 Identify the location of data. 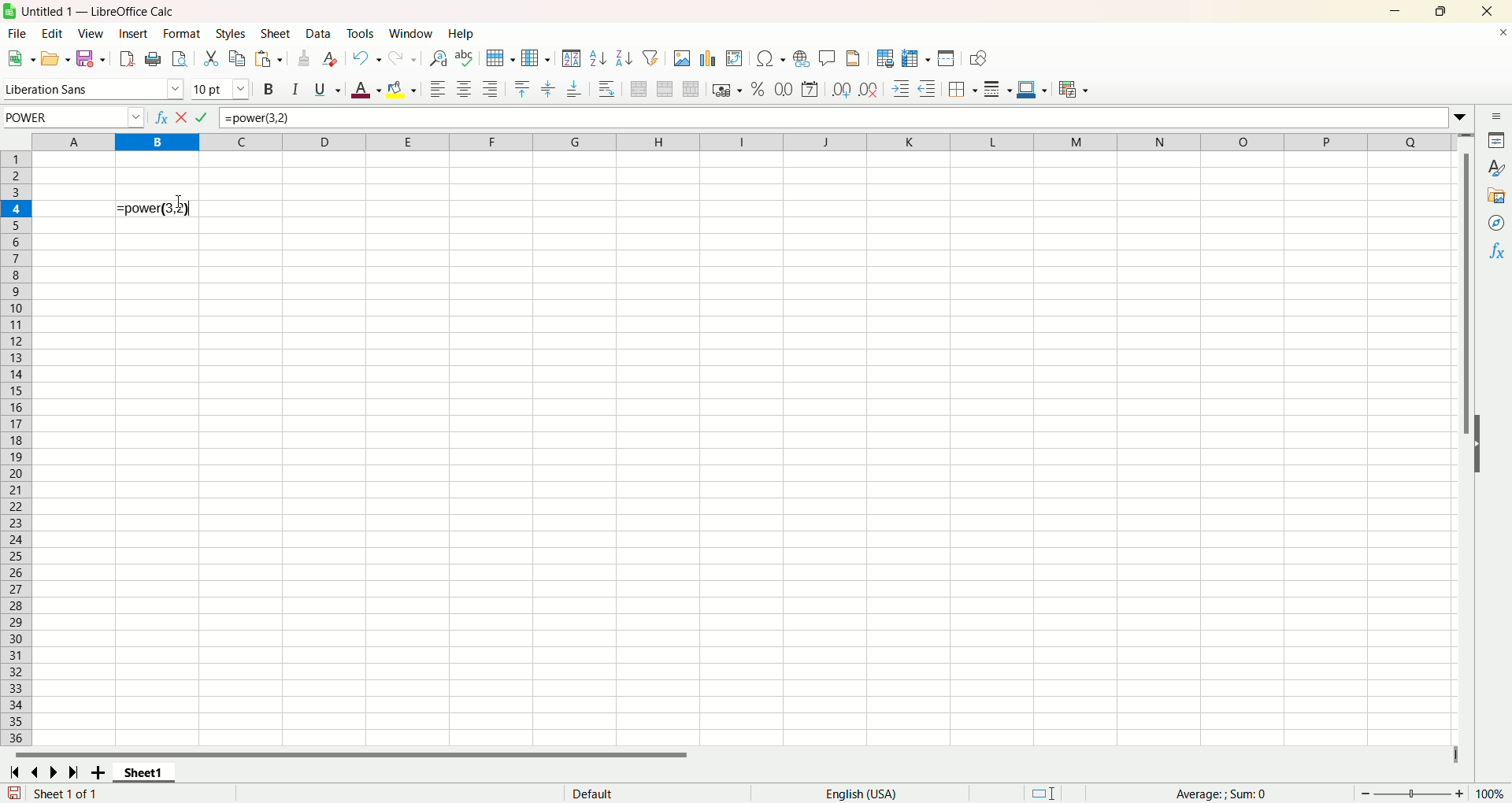
(321, 34).